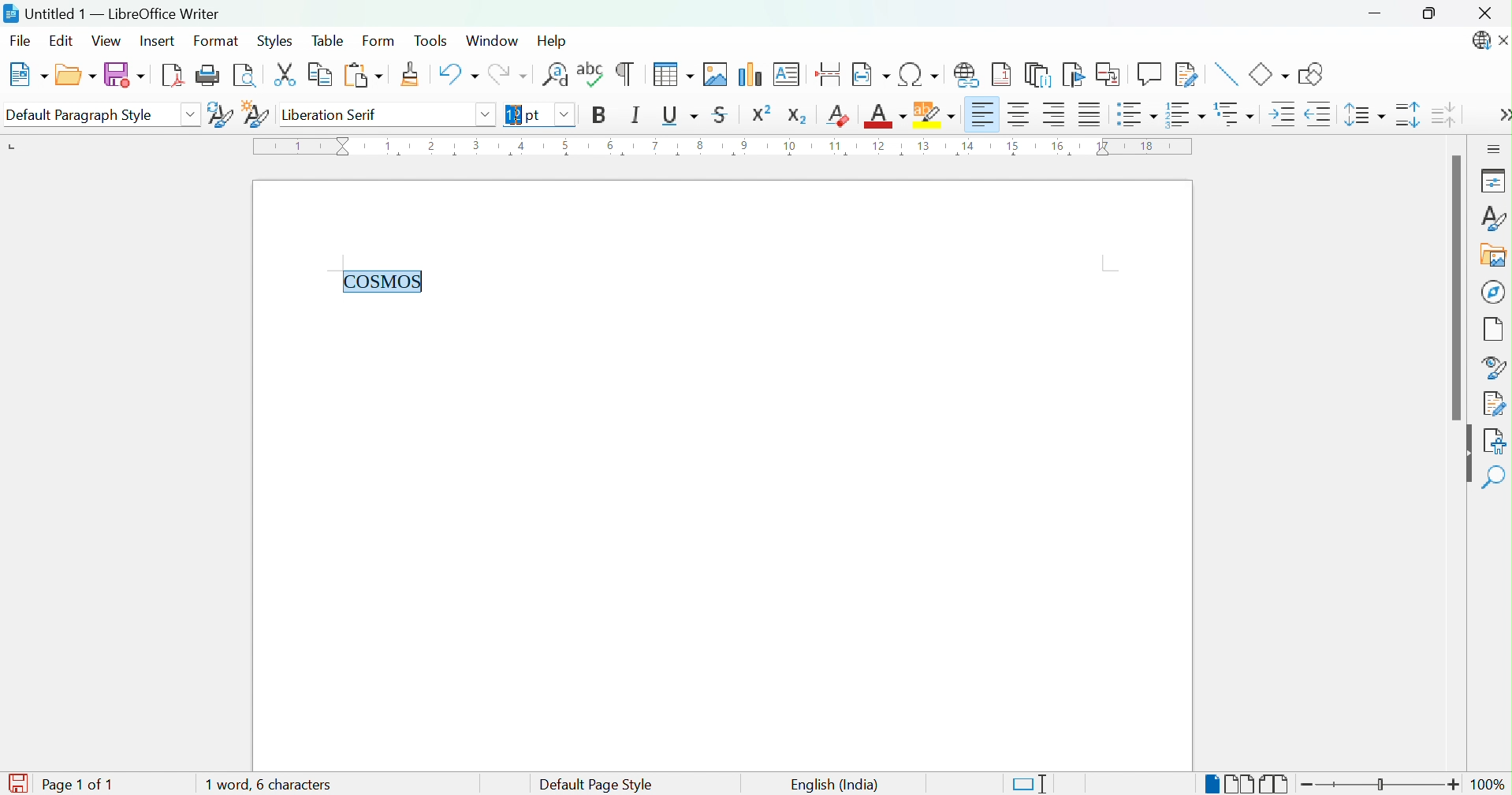 This screenshot has height=795, width=1512. I want to click on Close, so click(1503, 42).